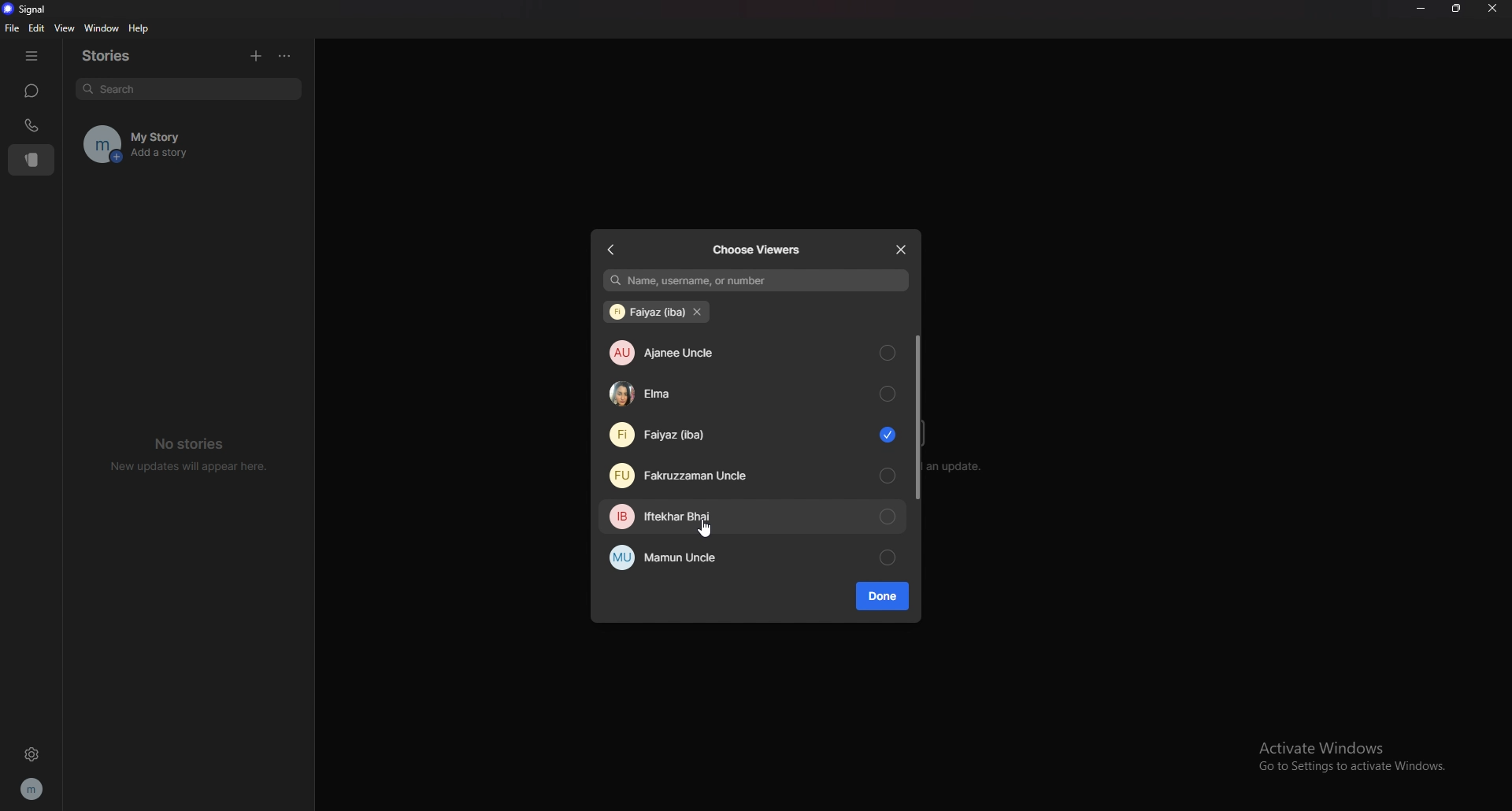 This screenshot has height=811, width=1512. I want to click on profile, so click(33, 787).